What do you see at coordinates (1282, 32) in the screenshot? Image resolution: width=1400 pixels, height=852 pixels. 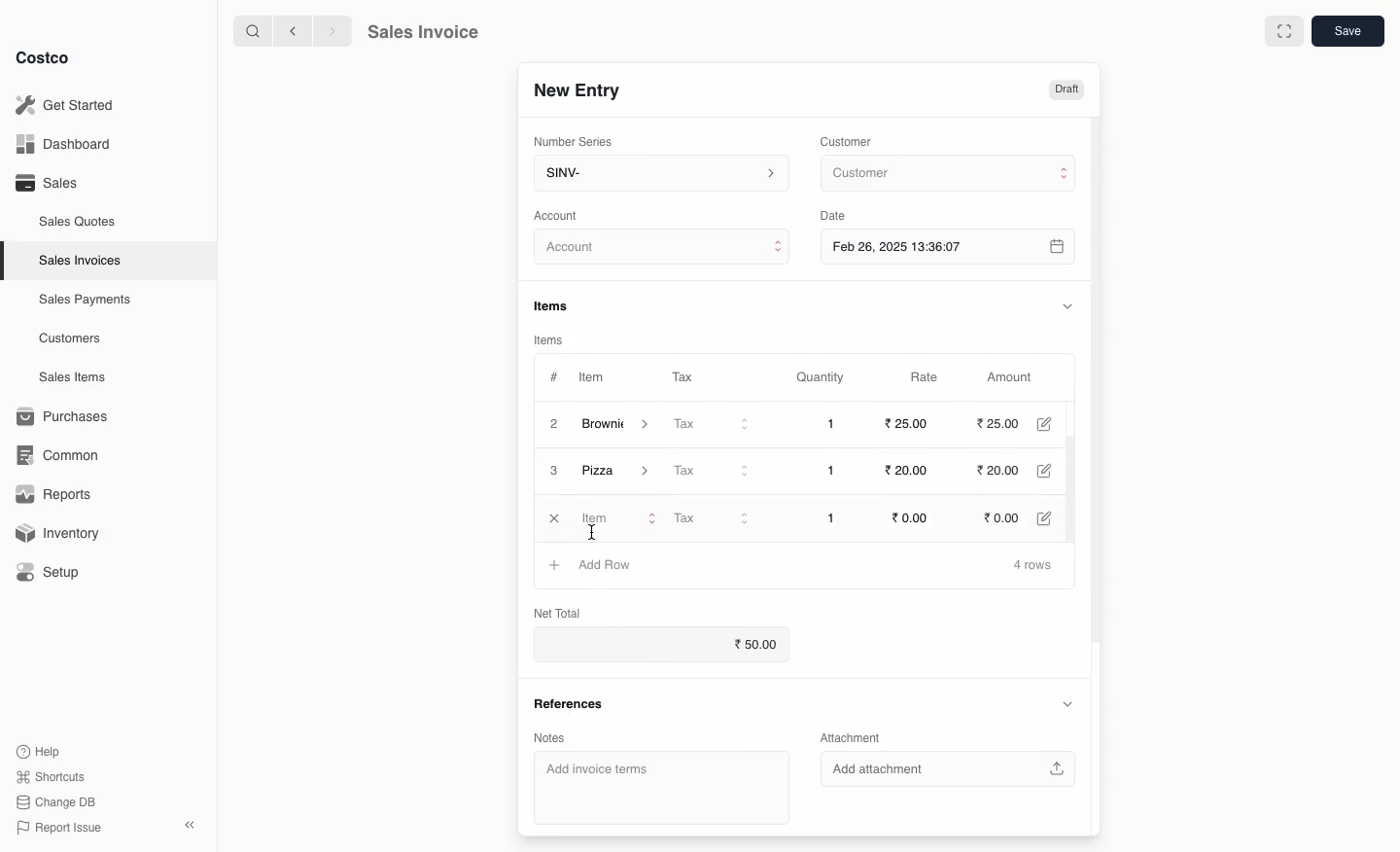 I see `Full width toggle` at bounding box center [1282, 32].